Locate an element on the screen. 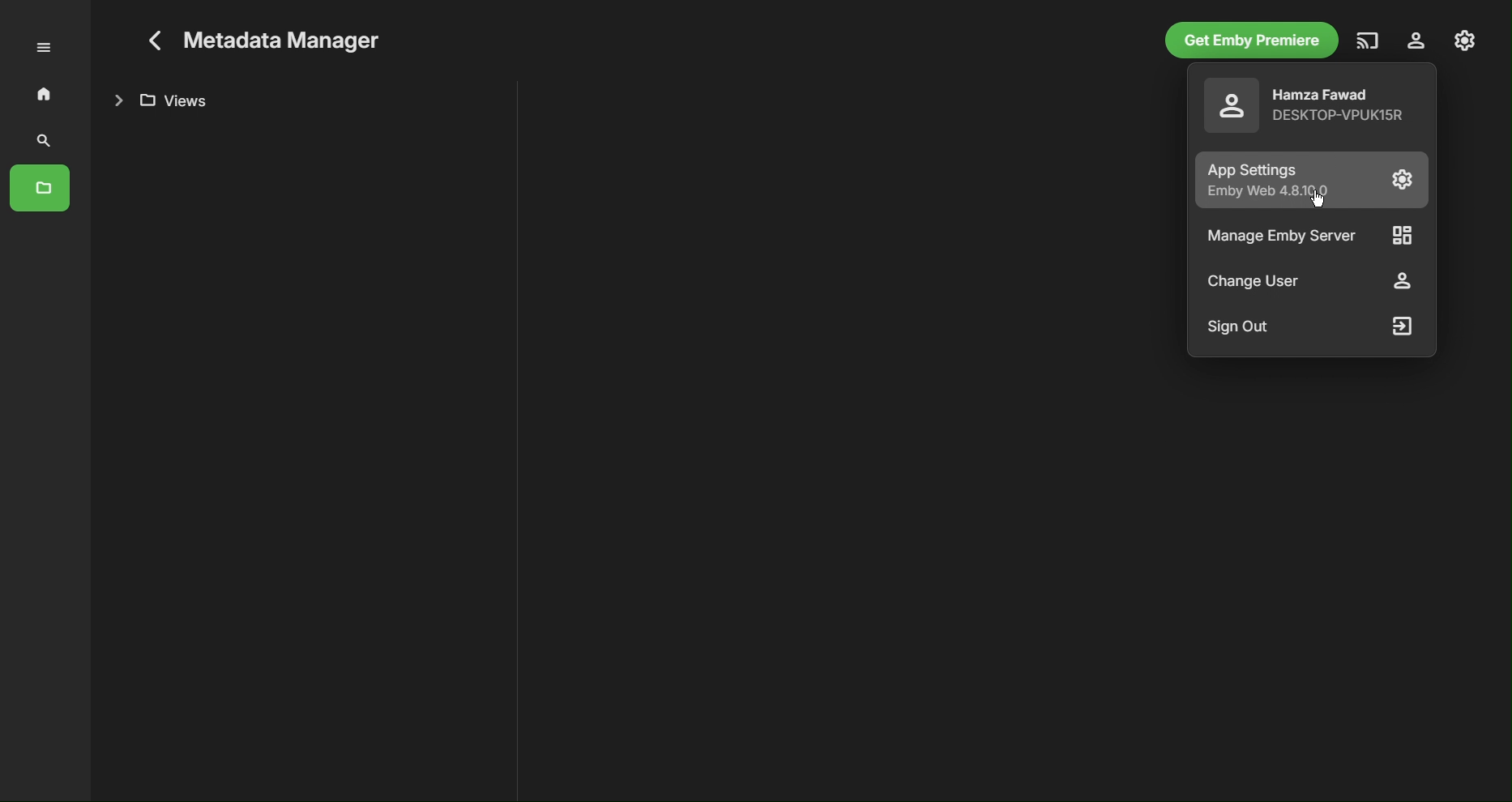 The width and height of the screenshot is (1512, 802). Metadata Manager is located at coordinates (270, 36).